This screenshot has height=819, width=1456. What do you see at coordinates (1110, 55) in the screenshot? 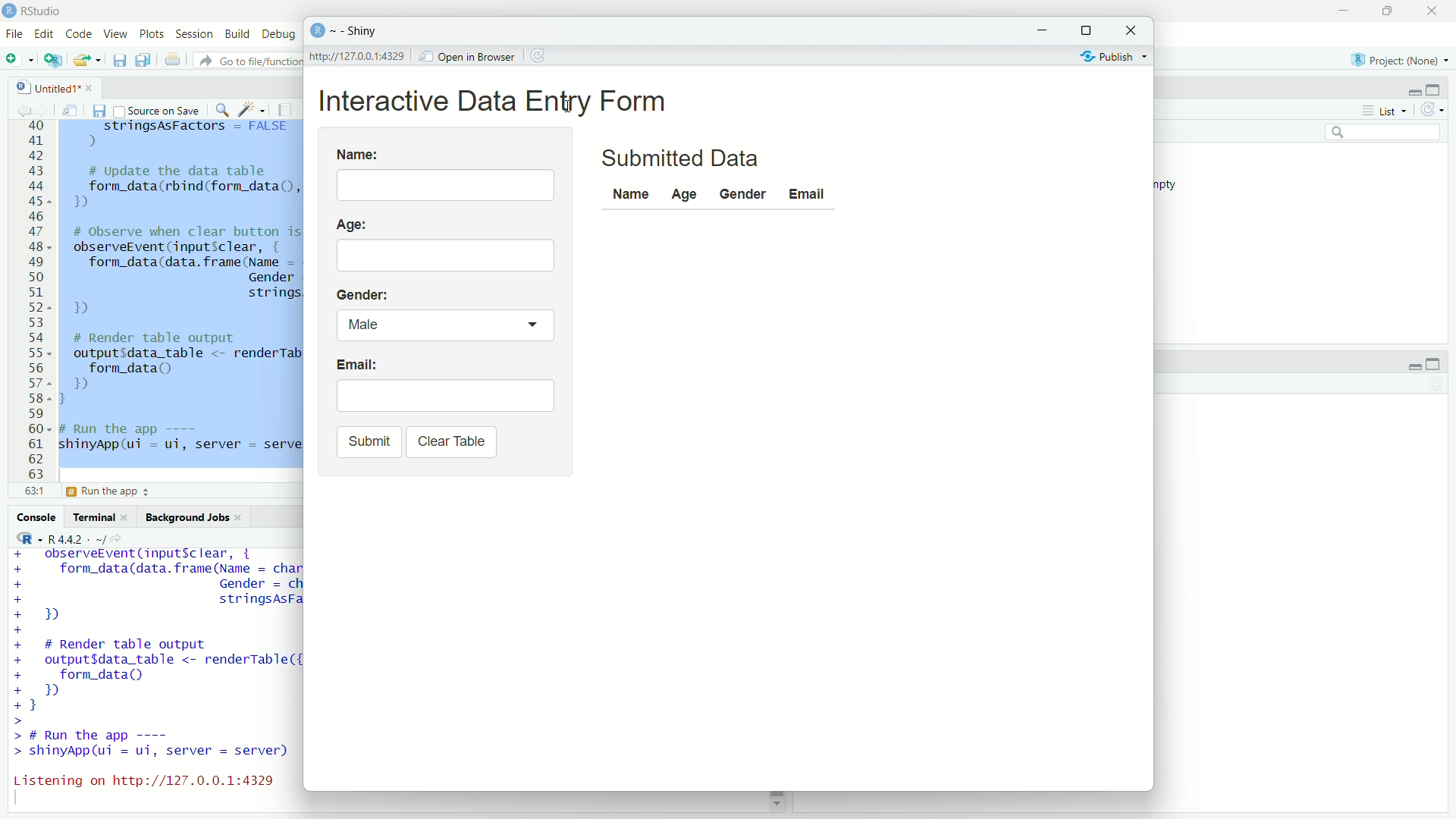
I see `publish` at bounding box center [1110, 55].